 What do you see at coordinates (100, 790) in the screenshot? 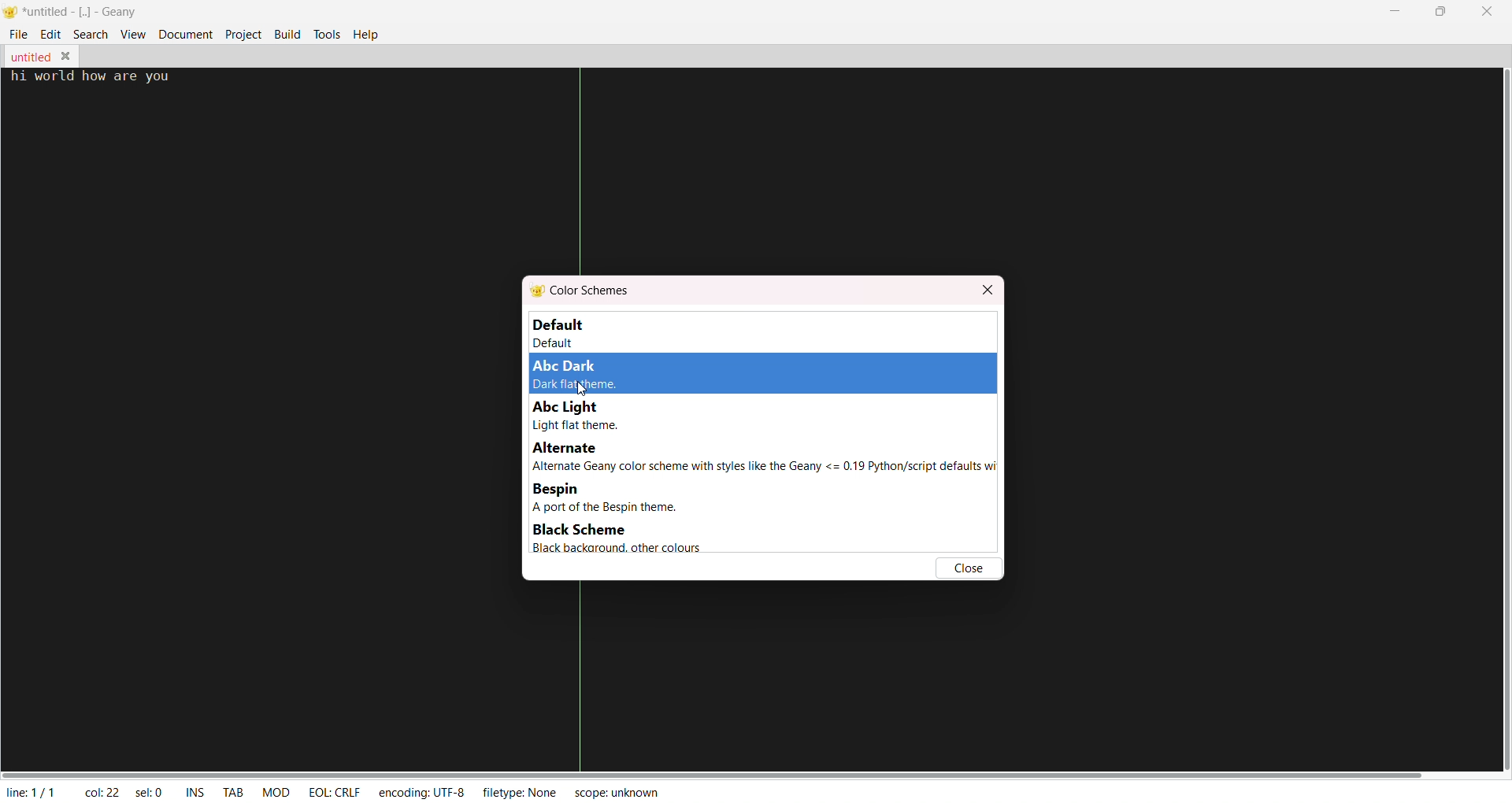
I see `column` at bounding box center [100, 790].